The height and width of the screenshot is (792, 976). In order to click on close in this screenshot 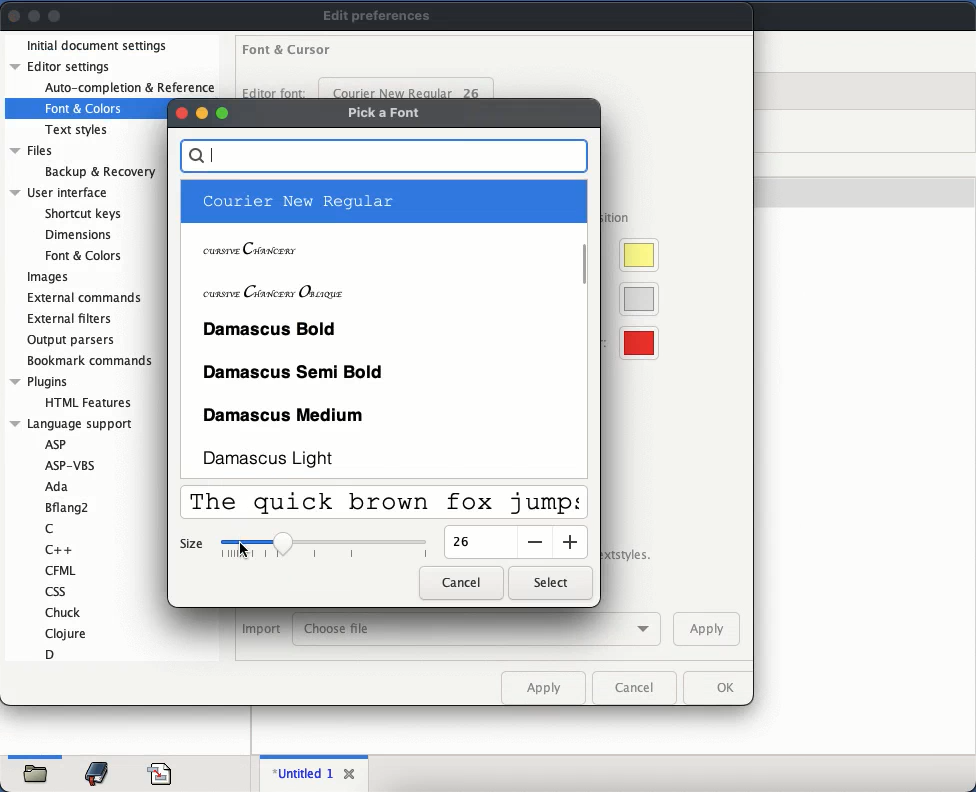, I will do `click(179, 114)`.